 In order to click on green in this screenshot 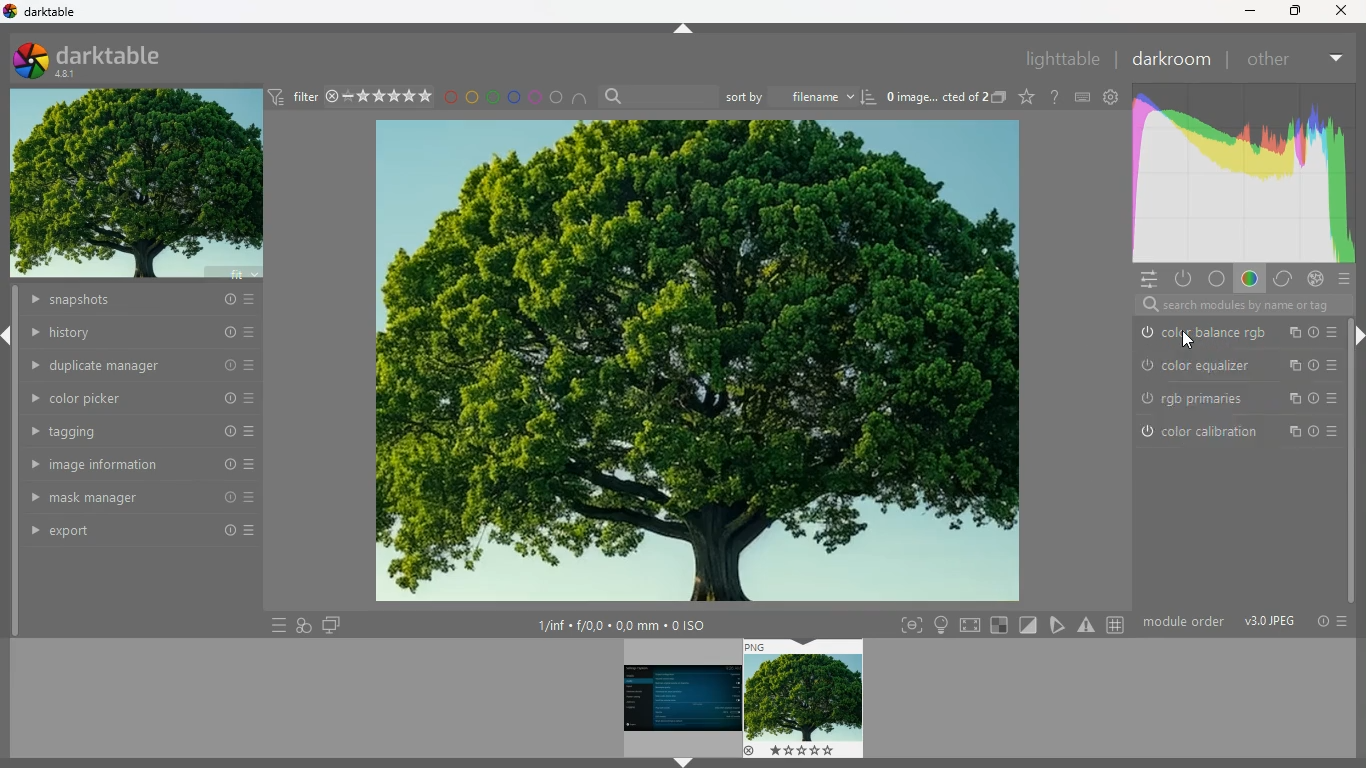, I will do `click(493, 97)`.